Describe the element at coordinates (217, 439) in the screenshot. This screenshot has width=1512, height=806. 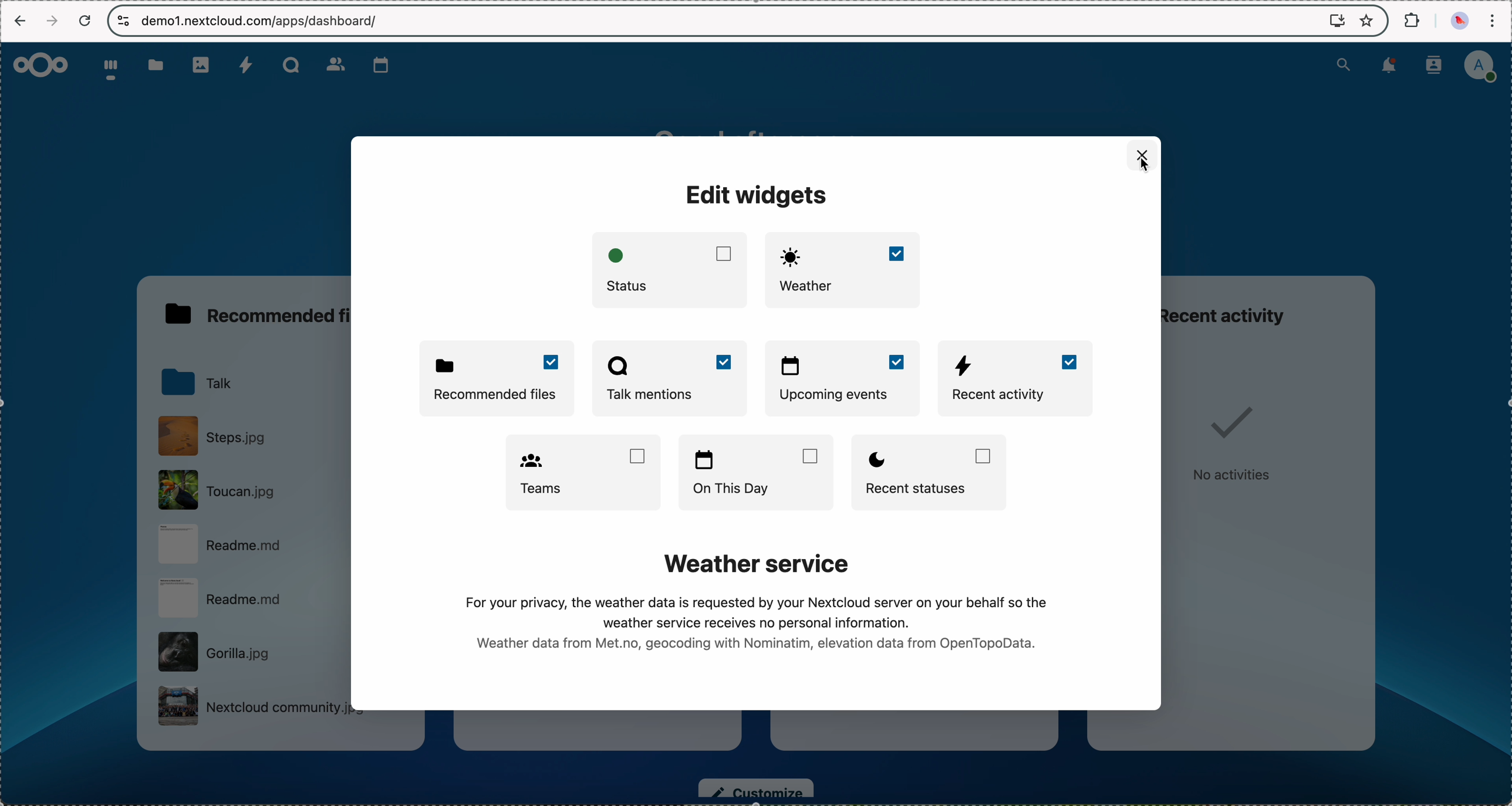
I see `file` at that location.